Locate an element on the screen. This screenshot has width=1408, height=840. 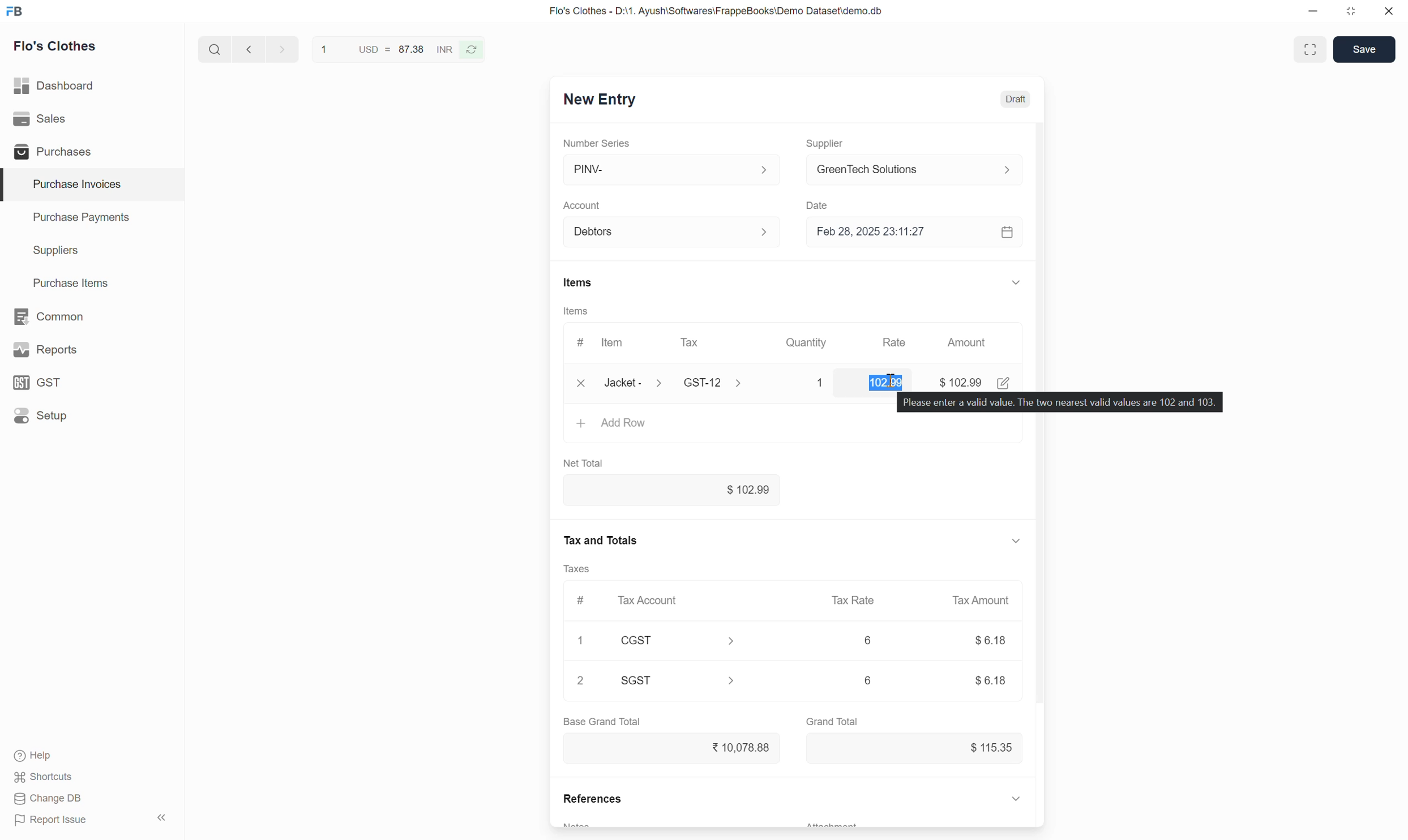
Frappe Books logo is located at coordinates (14, 11).